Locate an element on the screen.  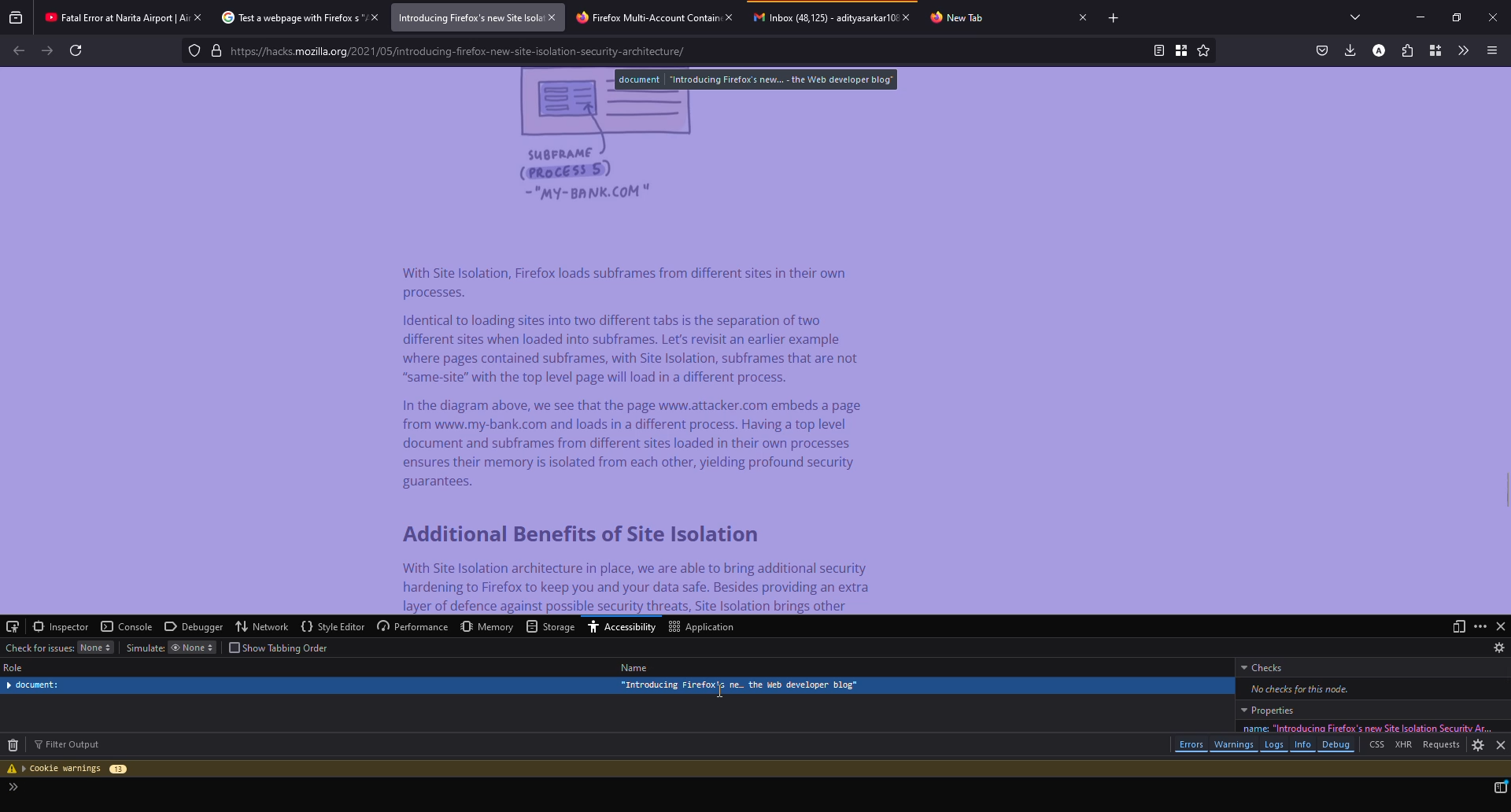
view recent is located at coordinates (16, 17).